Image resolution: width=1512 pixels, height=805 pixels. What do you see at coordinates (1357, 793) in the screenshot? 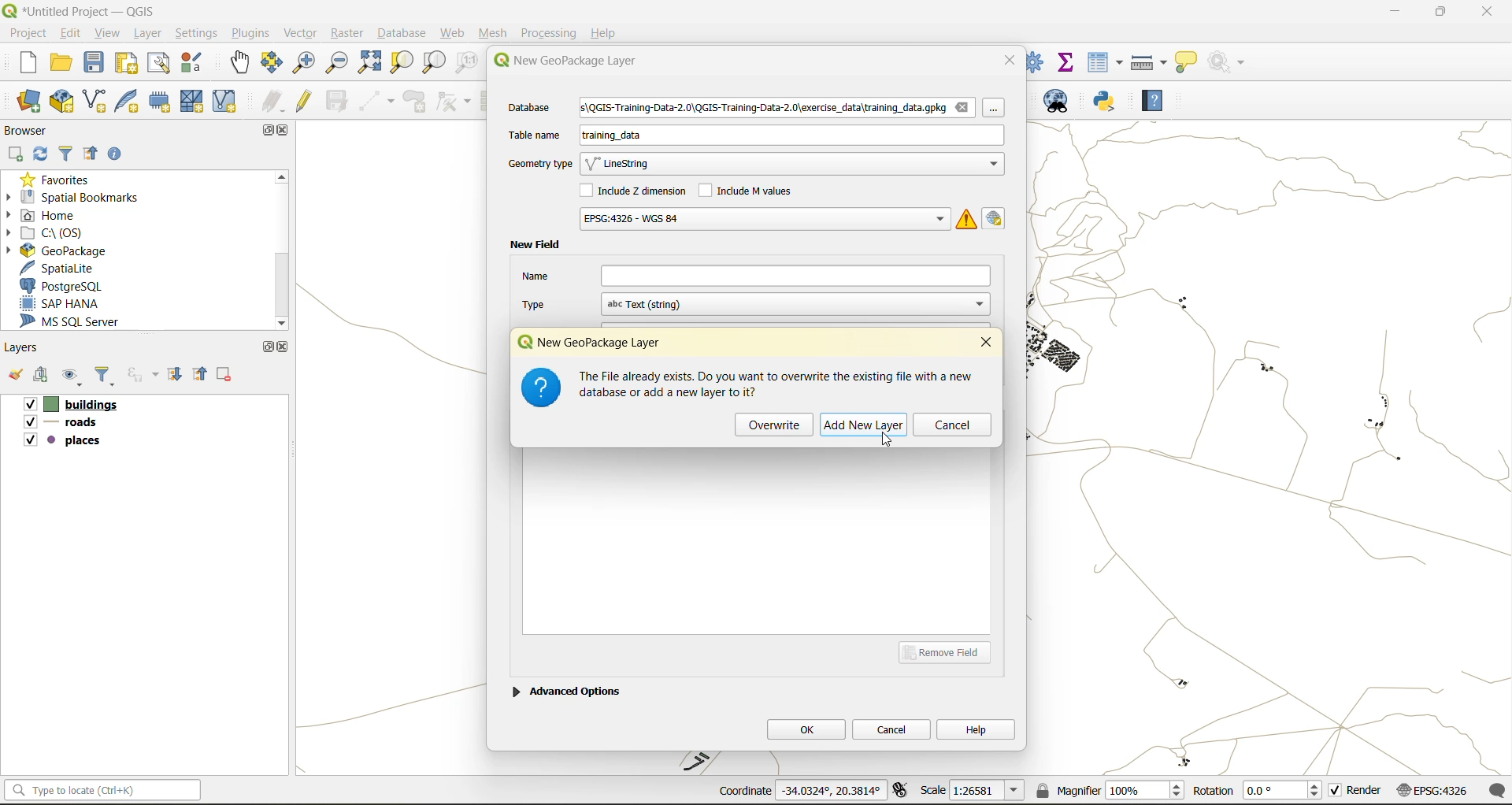
I see `render` at bounding box center [1357, 793].